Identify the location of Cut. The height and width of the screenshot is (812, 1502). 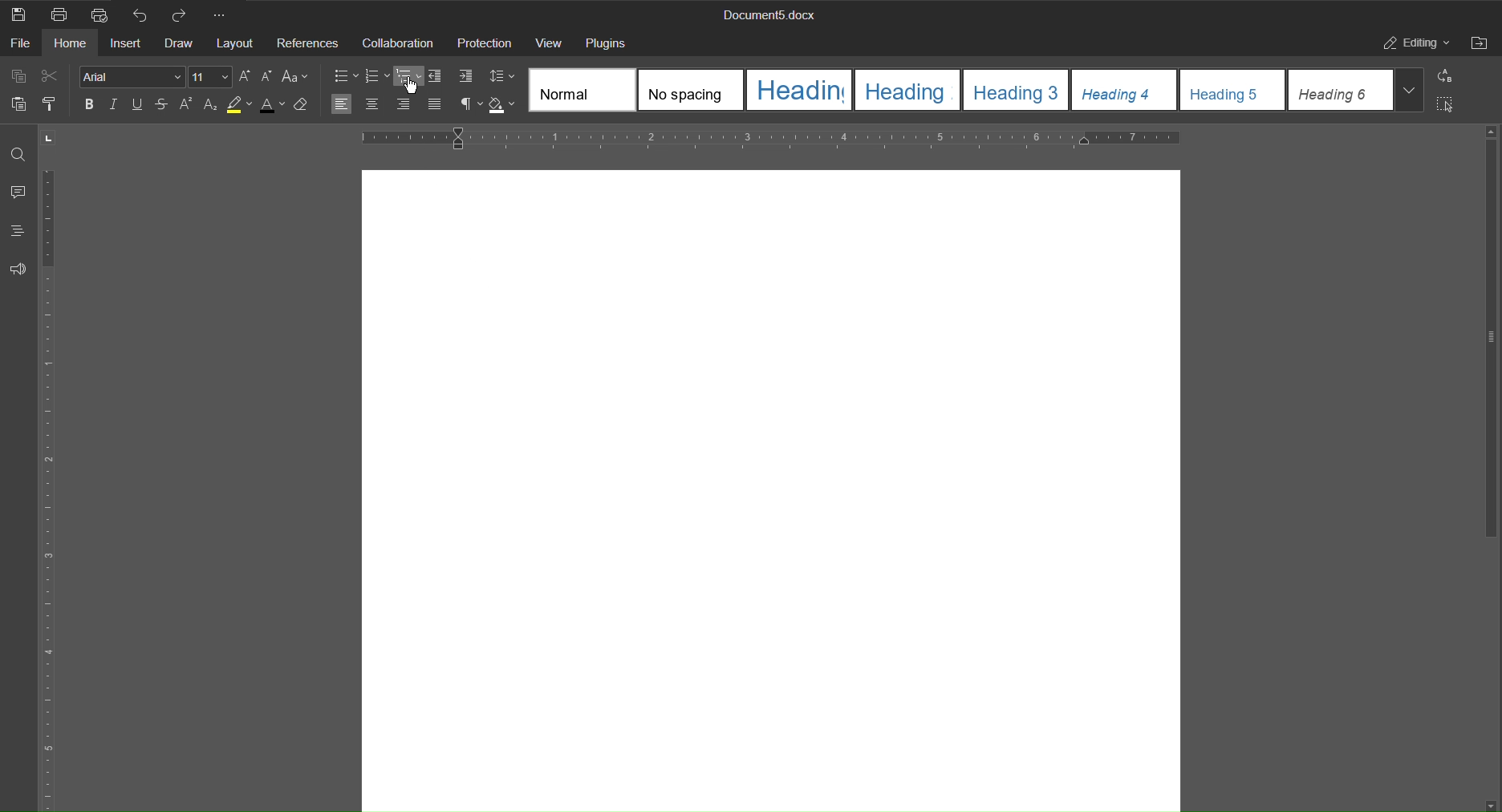
(54, 77).